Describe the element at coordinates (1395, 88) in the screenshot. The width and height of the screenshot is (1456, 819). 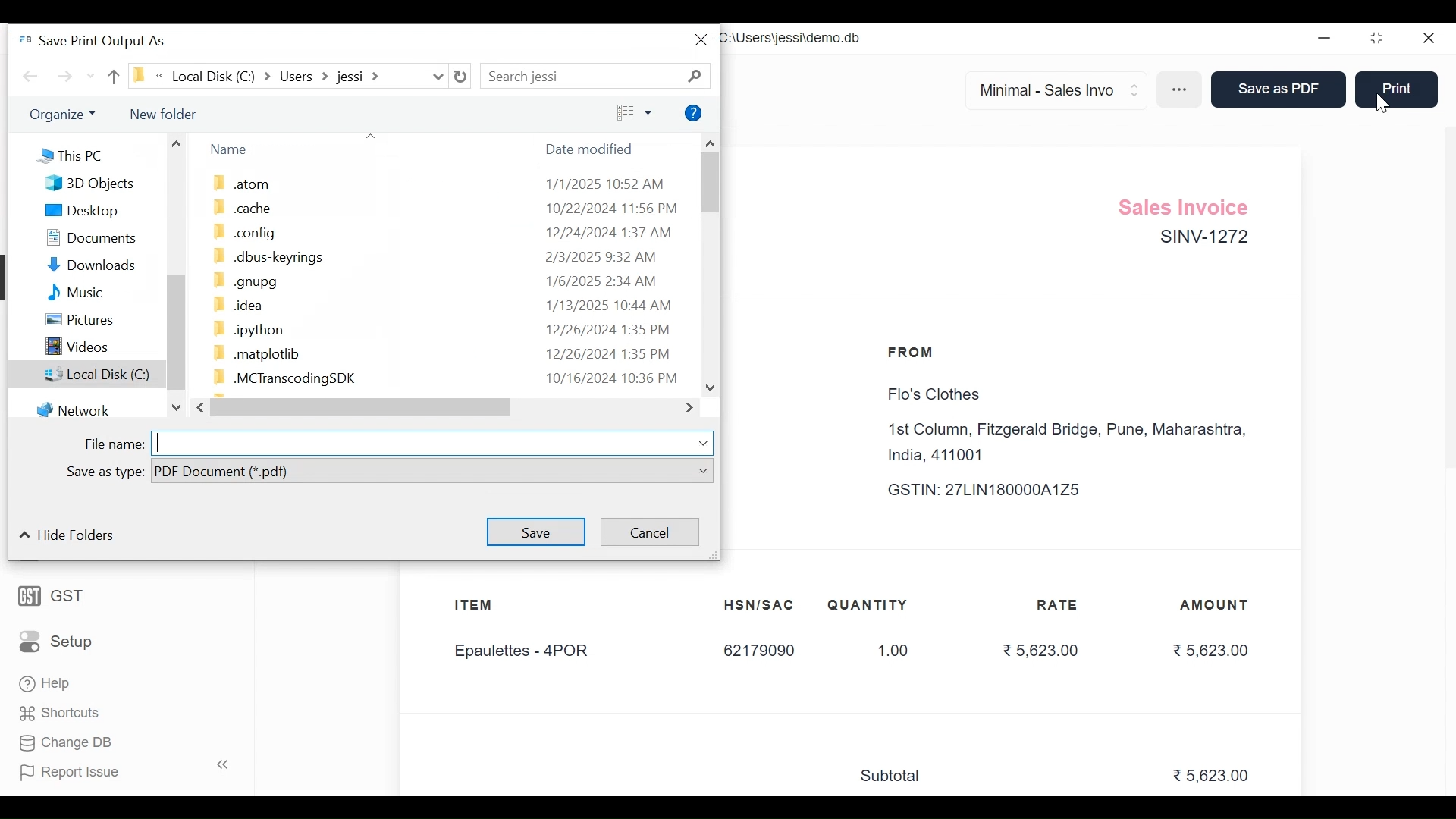
I see `Print` at that location.